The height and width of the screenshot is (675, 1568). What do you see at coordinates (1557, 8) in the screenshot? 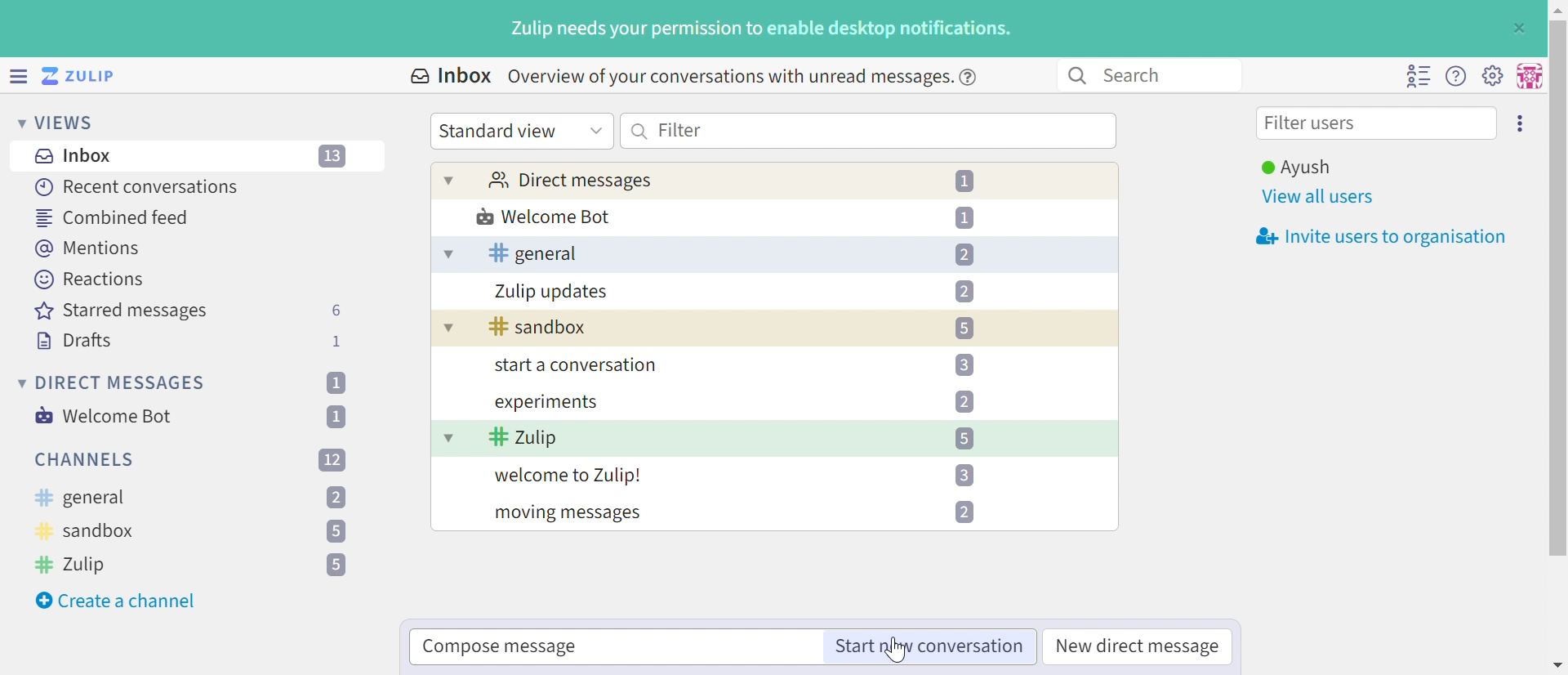
I see `move up` at bounding box center [1557, 8].